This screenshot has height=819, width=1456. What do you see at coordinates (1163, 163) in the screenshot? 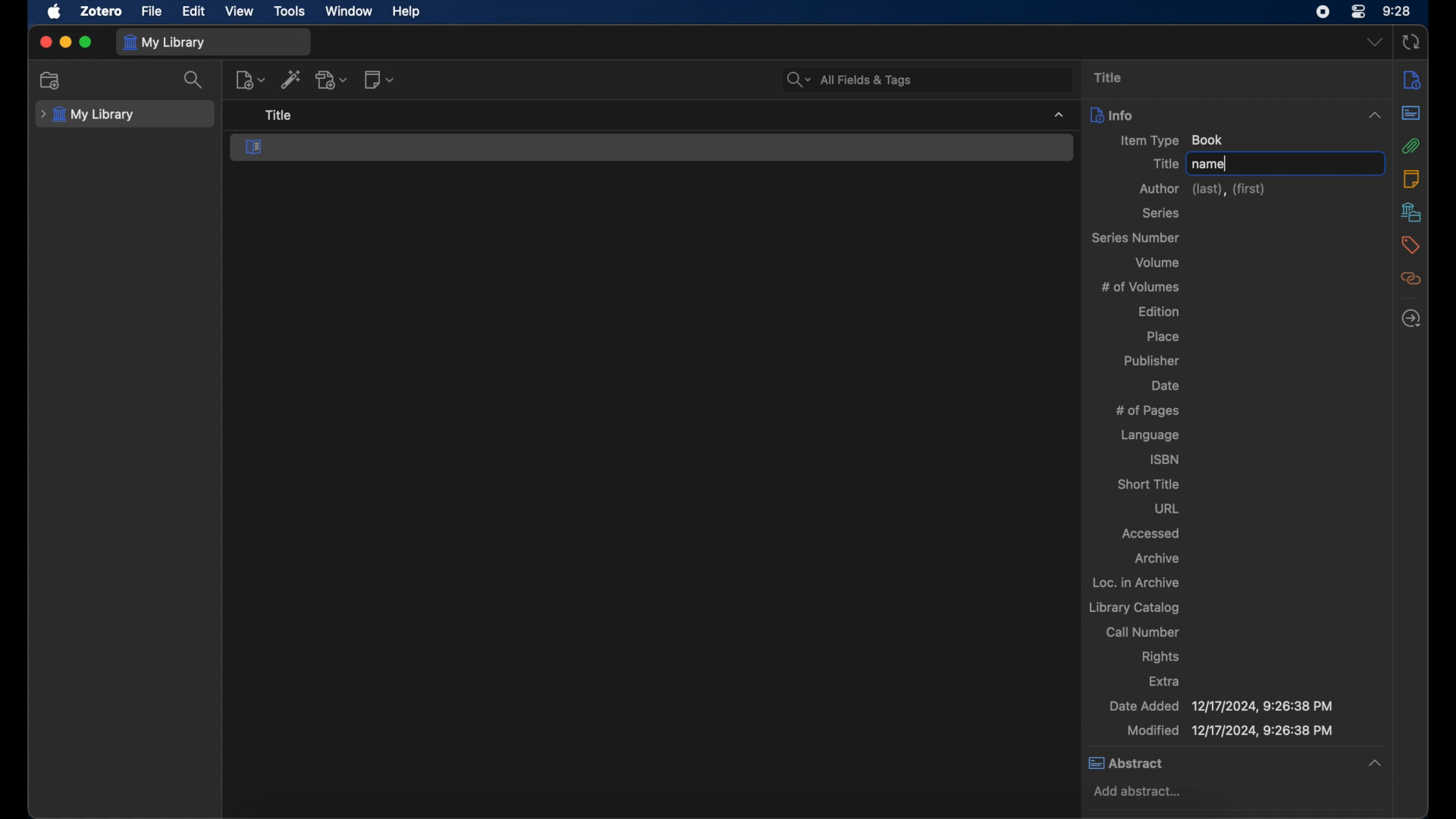
I see `title` at bounding box center [1163, 163].